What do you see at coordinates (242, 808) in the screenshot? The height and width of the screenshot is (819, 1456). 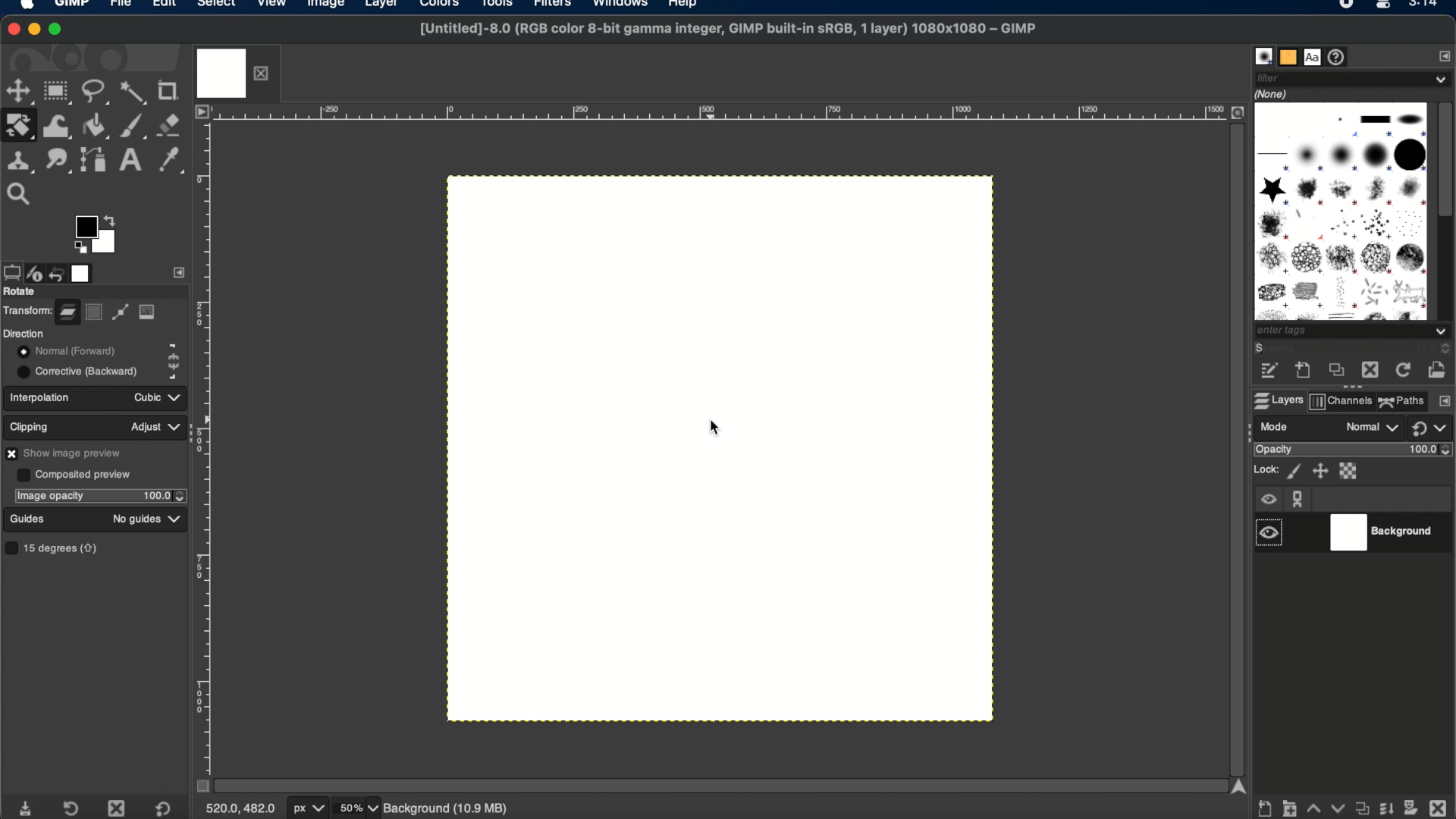 I see `cursor coordinates` at bounding box center [242, 808].